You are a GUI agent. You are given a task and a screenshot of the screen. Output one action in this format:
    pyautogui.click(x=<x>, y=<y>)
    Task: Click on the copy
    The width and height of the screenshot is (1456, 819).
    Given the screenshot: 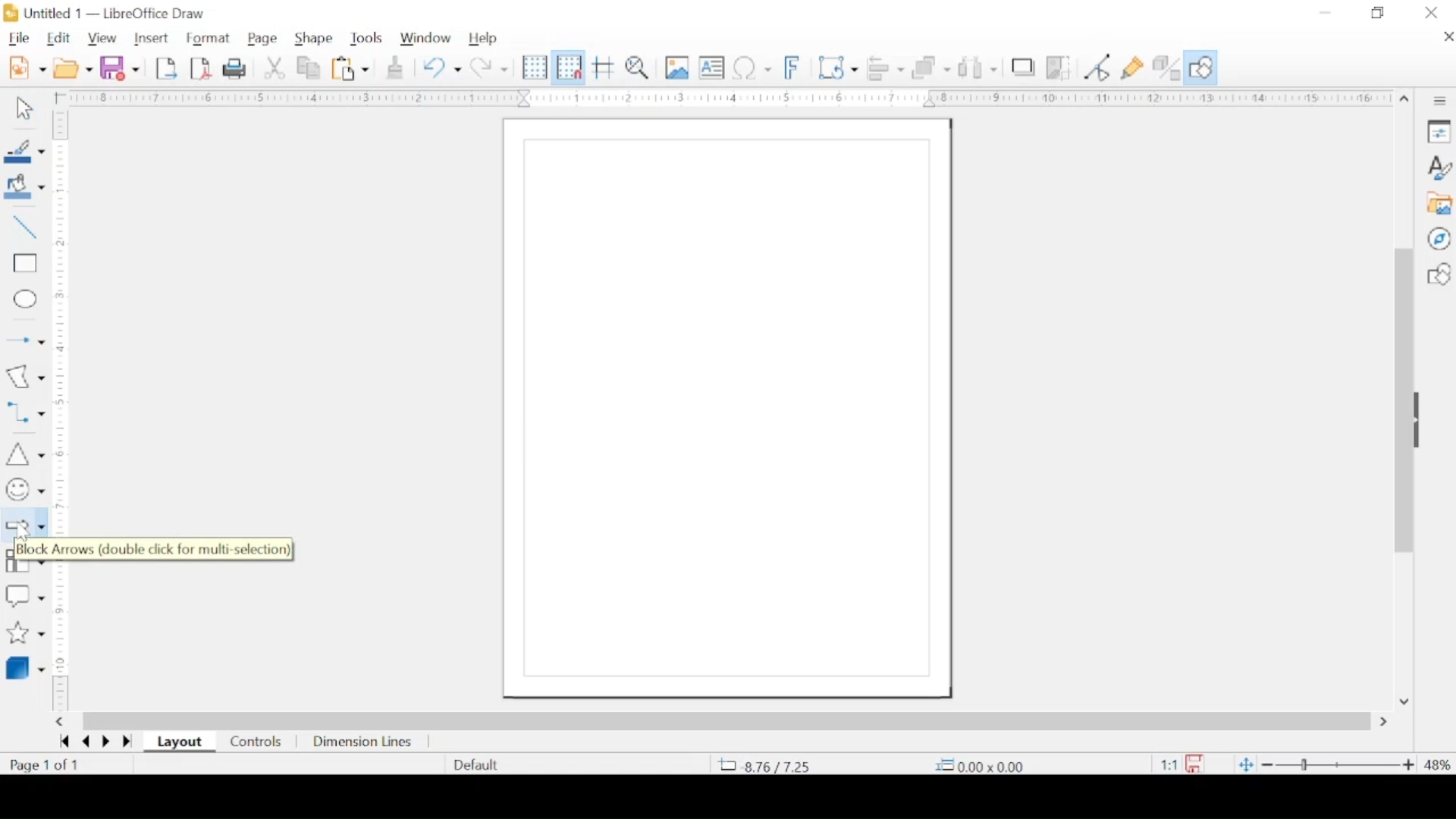 What is the action you would take?
    pyautogui.click(x=309, y=67)
    